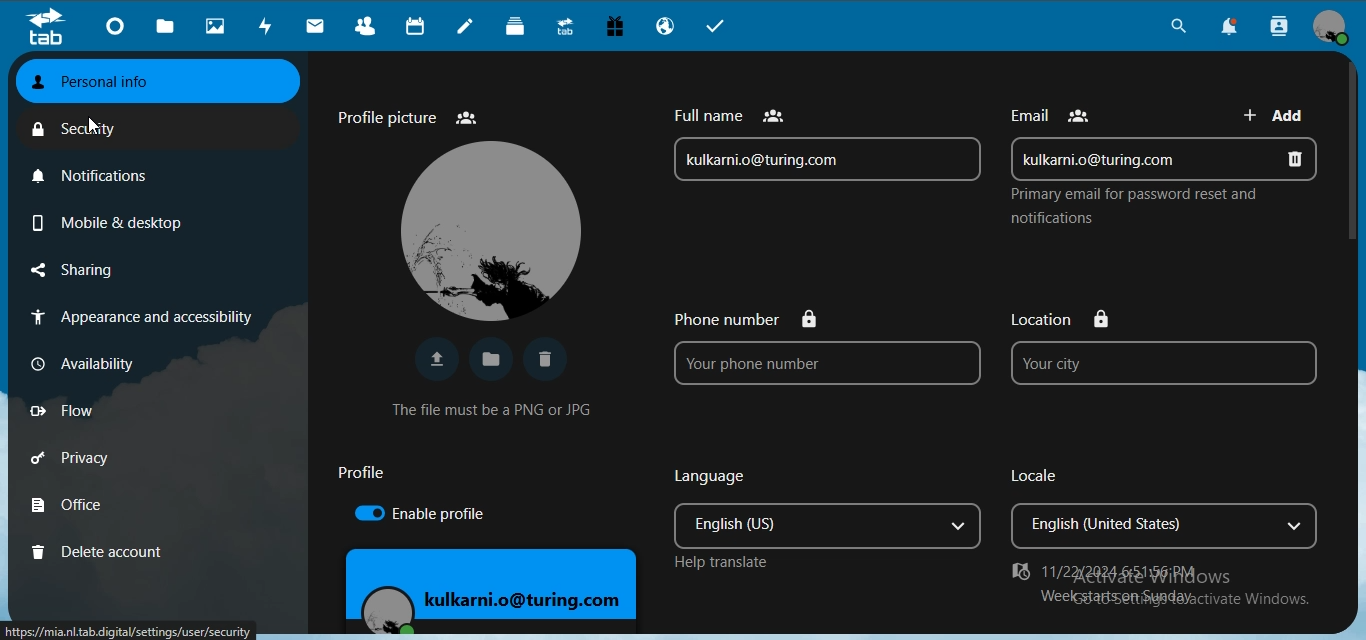  What do you see at coordinates (1141, 528) in the screenshot?
I see `English (United States)` at bounding box center [1141, 528].